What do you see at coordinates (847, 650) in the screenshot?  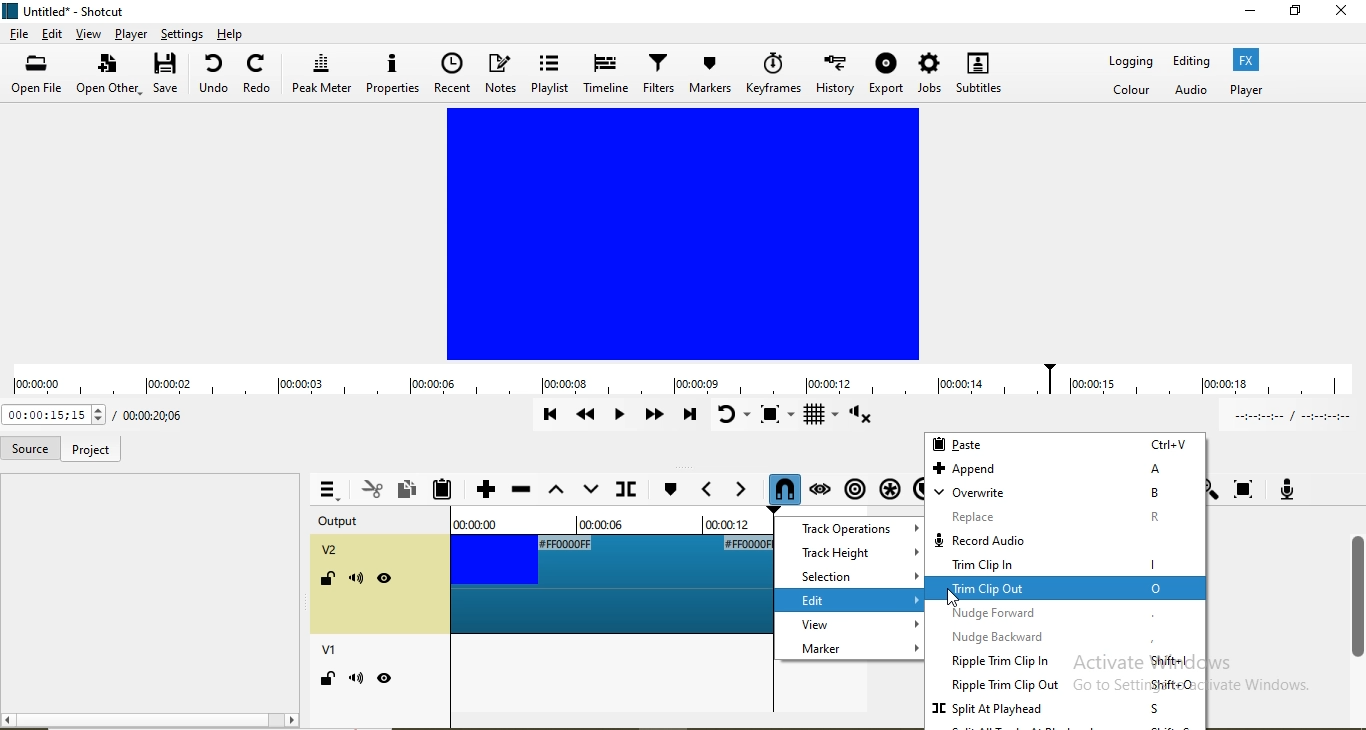 I see `marker` at bounding box center [847, 650].